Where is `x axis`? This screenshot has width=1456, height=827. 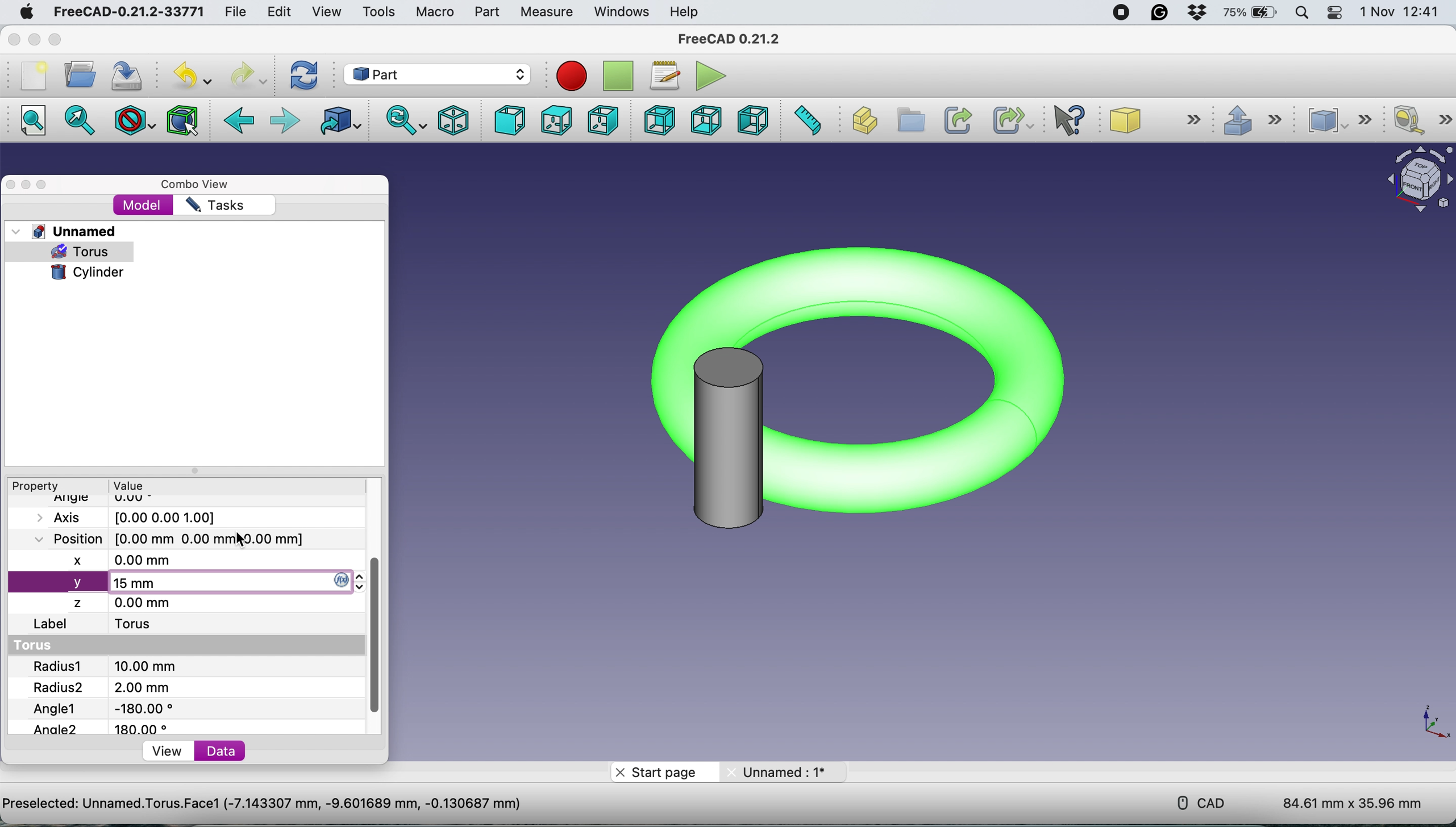 x axis is located at coordinates (133, 559).